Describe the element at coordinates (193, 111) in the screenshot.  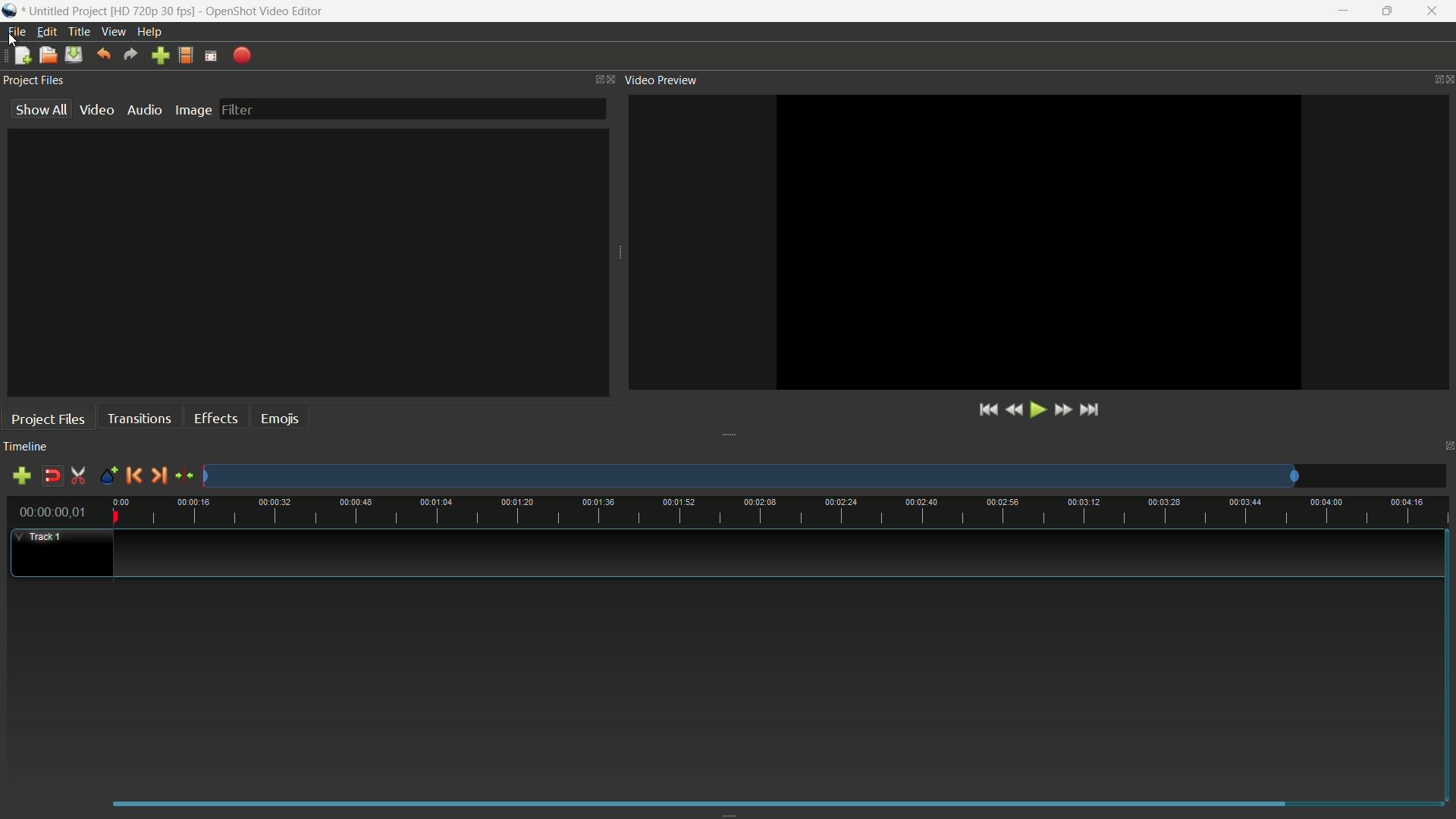
I see `image` at that location.